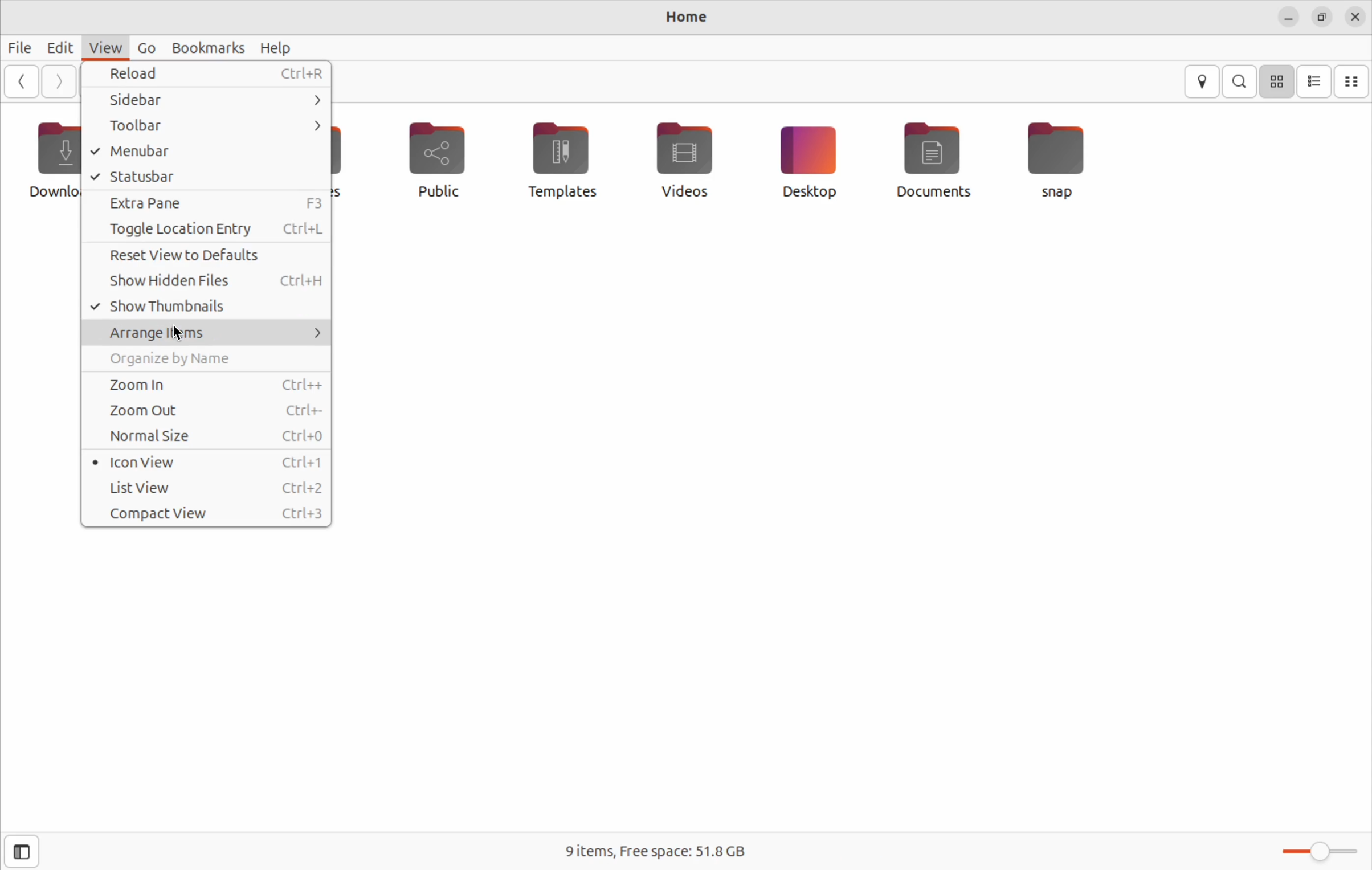 The height and width of the screenshot is (870, 1372). Describe the element at coordinates (210, 359) in the screenshot. I see `organize by name` at that location.